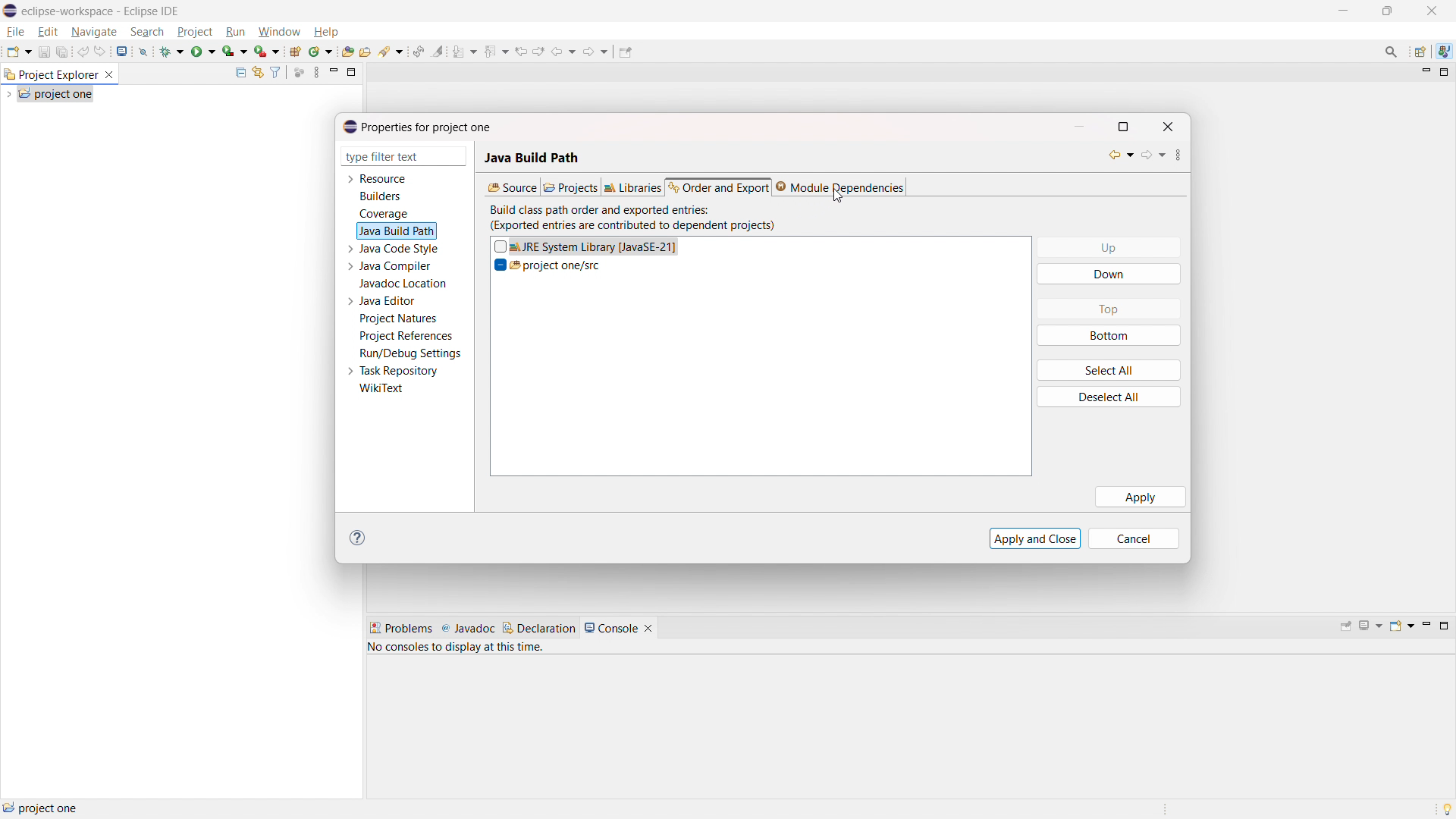 The image size is (1456, 819). What do you see at coordinates (495, 50) in the screenshot?
I see `previous annotation` at bounding box center [495, 50].